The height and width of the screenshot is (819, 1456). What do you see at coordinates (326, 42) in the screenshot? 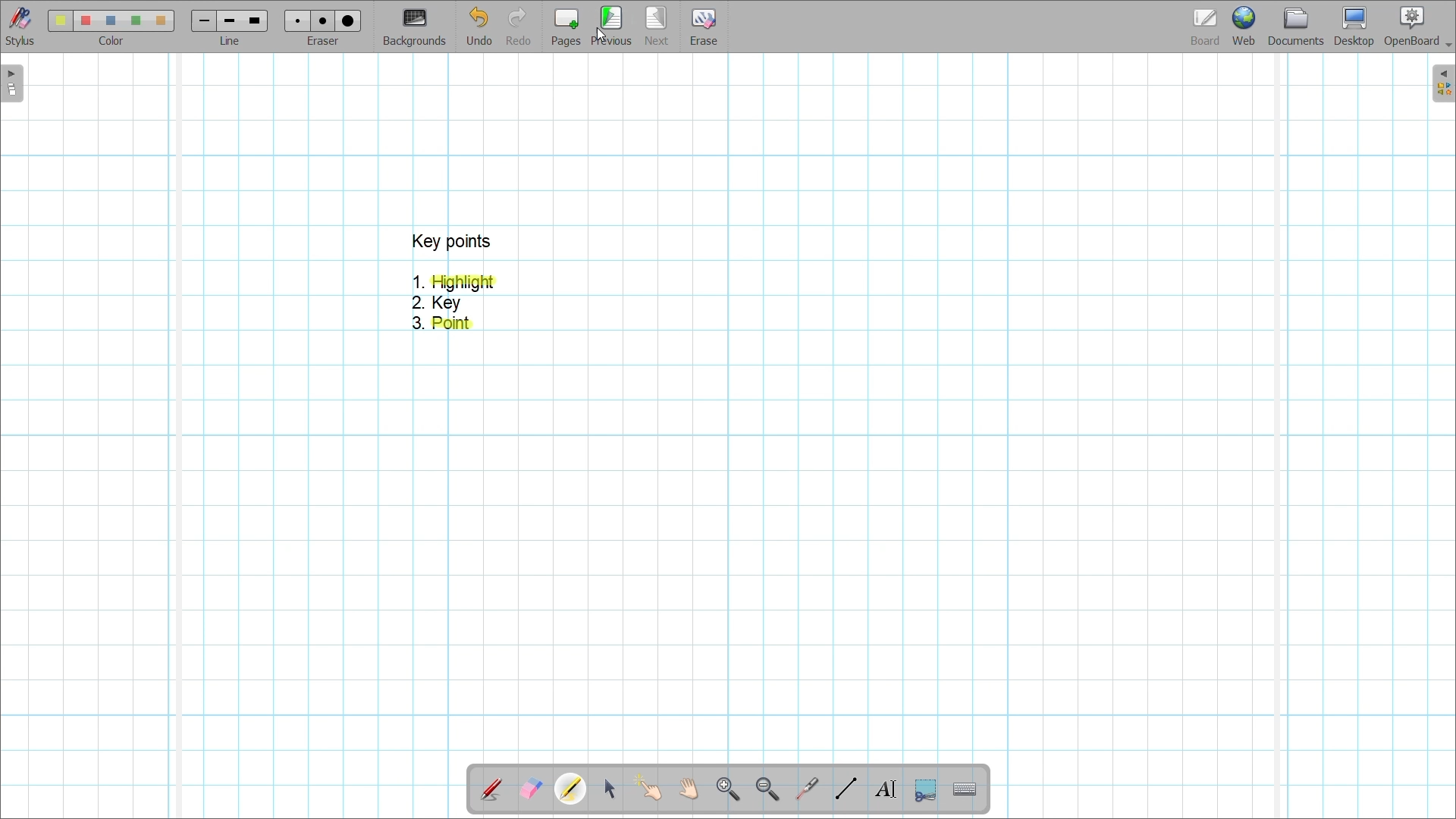
I see `eraser` at bounding box center [326, 42].